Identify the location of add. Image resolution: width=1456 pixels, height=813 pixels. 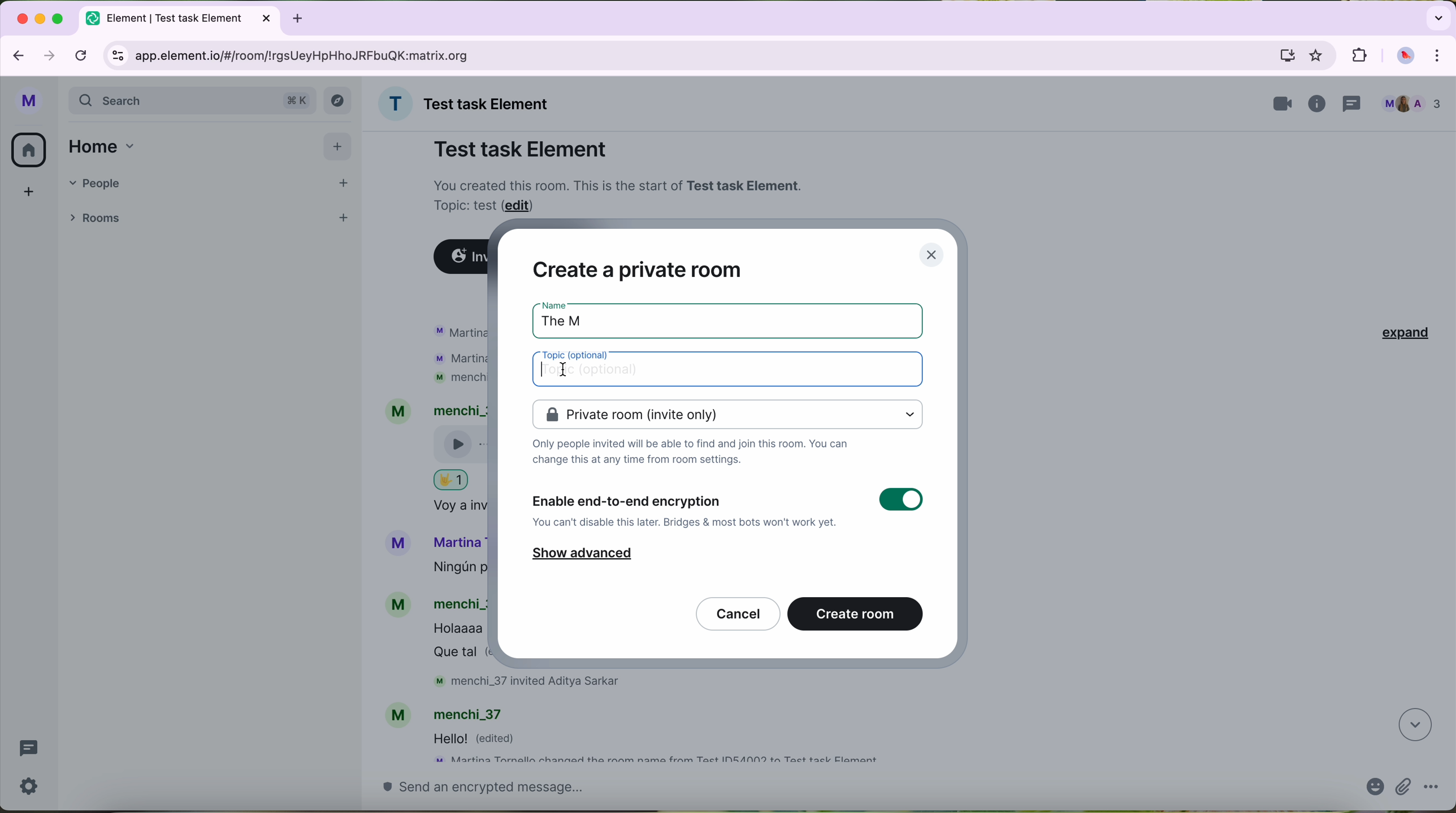
(24, 197).